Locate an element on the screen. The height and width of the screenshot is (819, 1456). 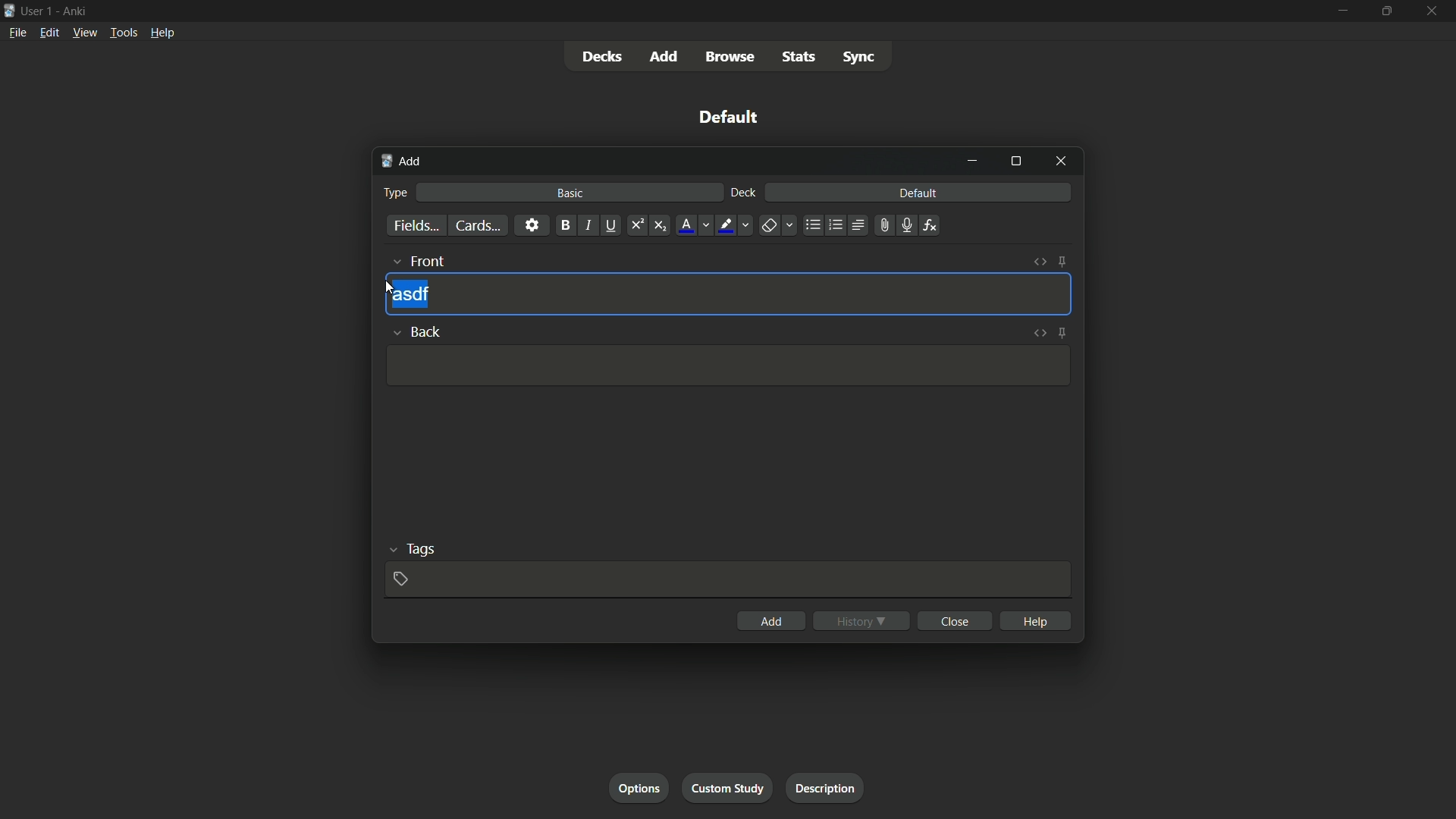
text highlight is located at coordinates (733, 225).